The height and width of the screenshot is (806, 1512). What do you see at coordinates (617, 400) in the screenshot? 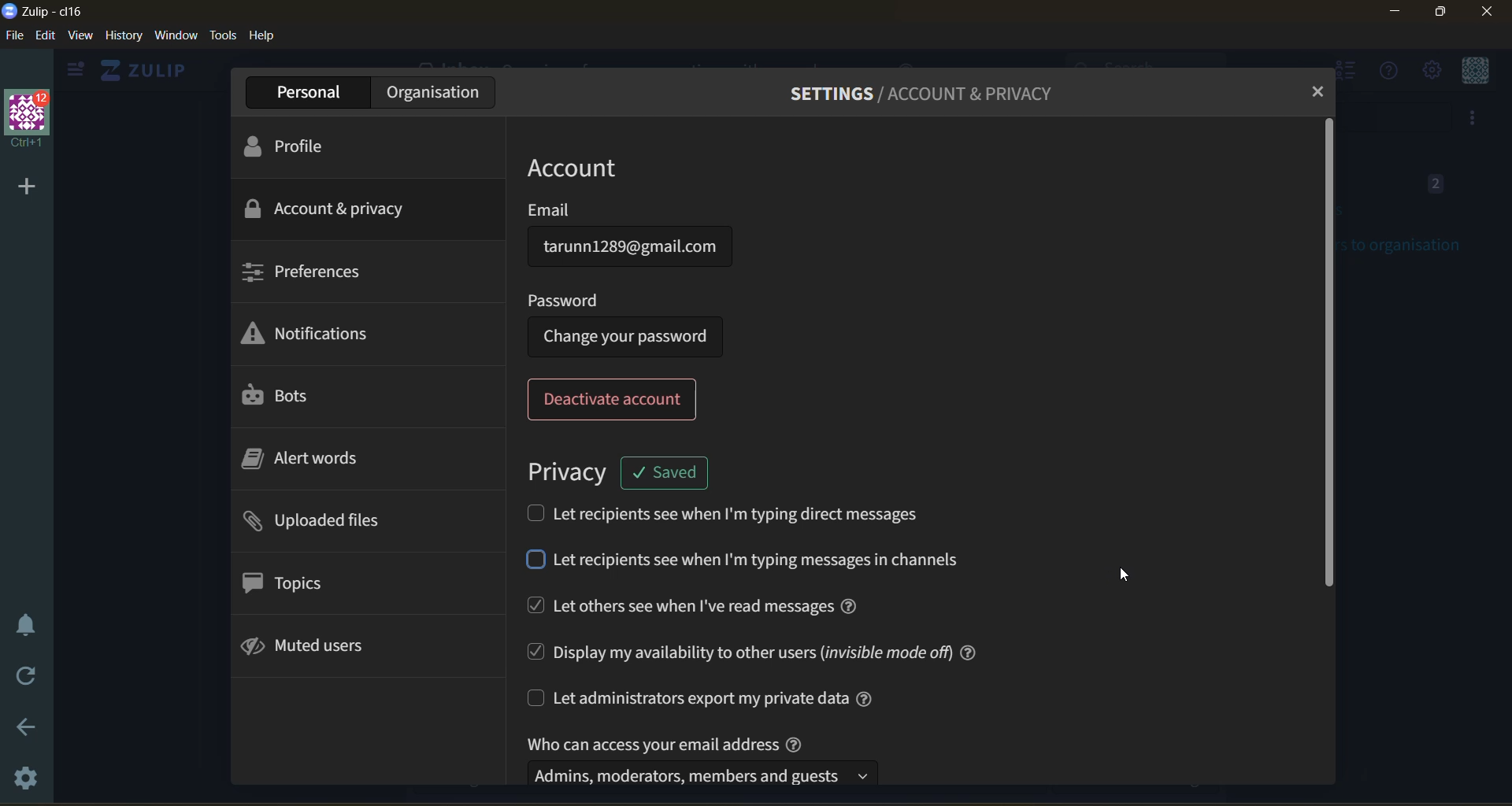
I see `deactivate account` at bounding box center [617, 400].